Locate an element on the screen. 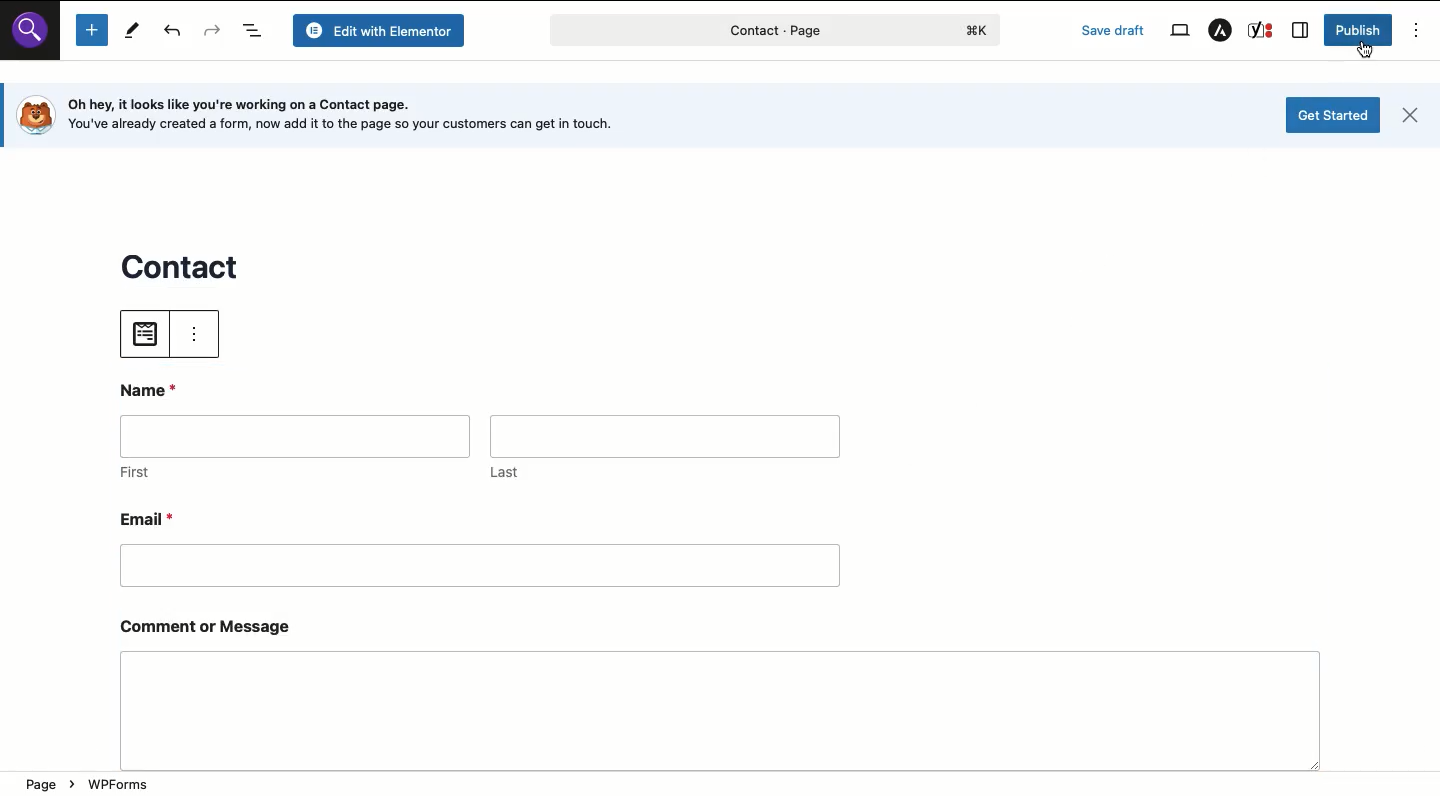 The width and height of the screenshot is (1440, 796). Edit with elementor is located at coordinates (382, 30).